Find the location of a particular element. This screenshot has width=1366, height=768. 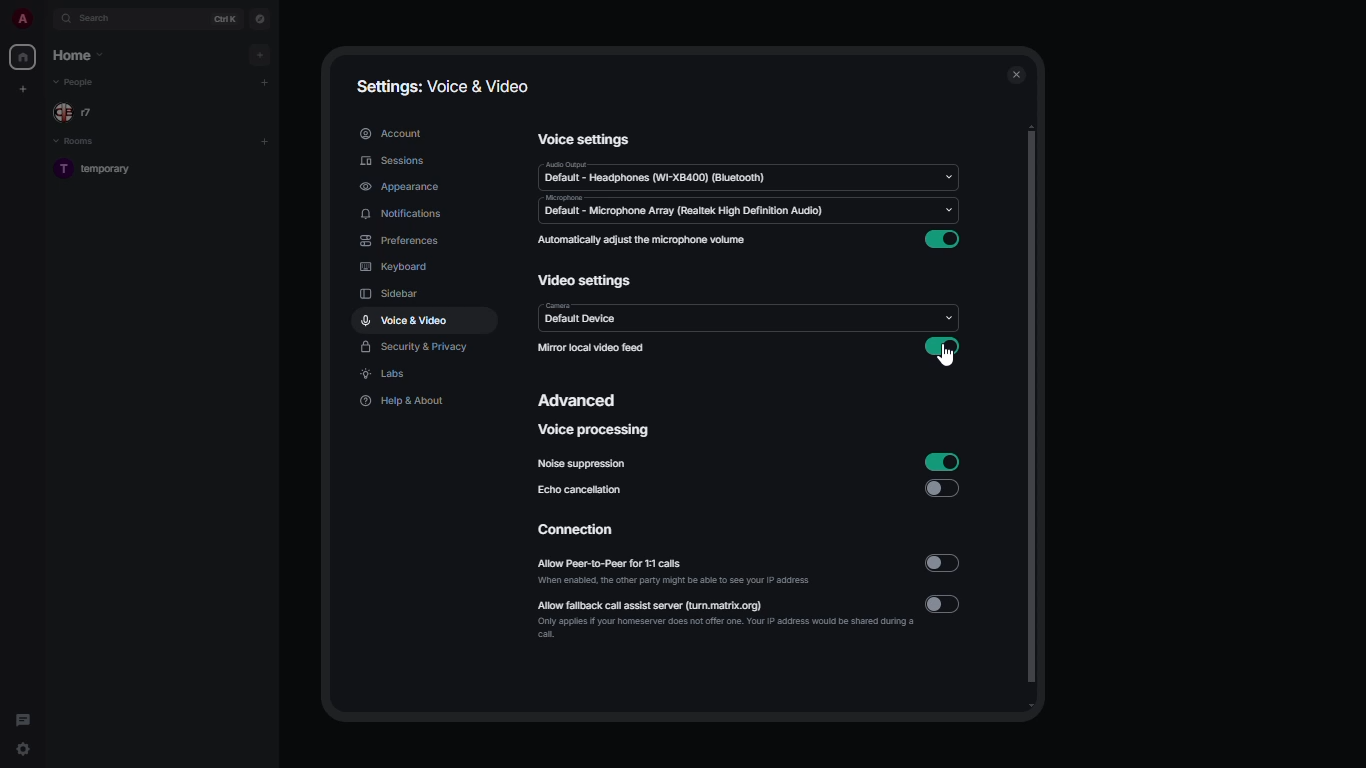

disabled is located at coordinates (941, 487).